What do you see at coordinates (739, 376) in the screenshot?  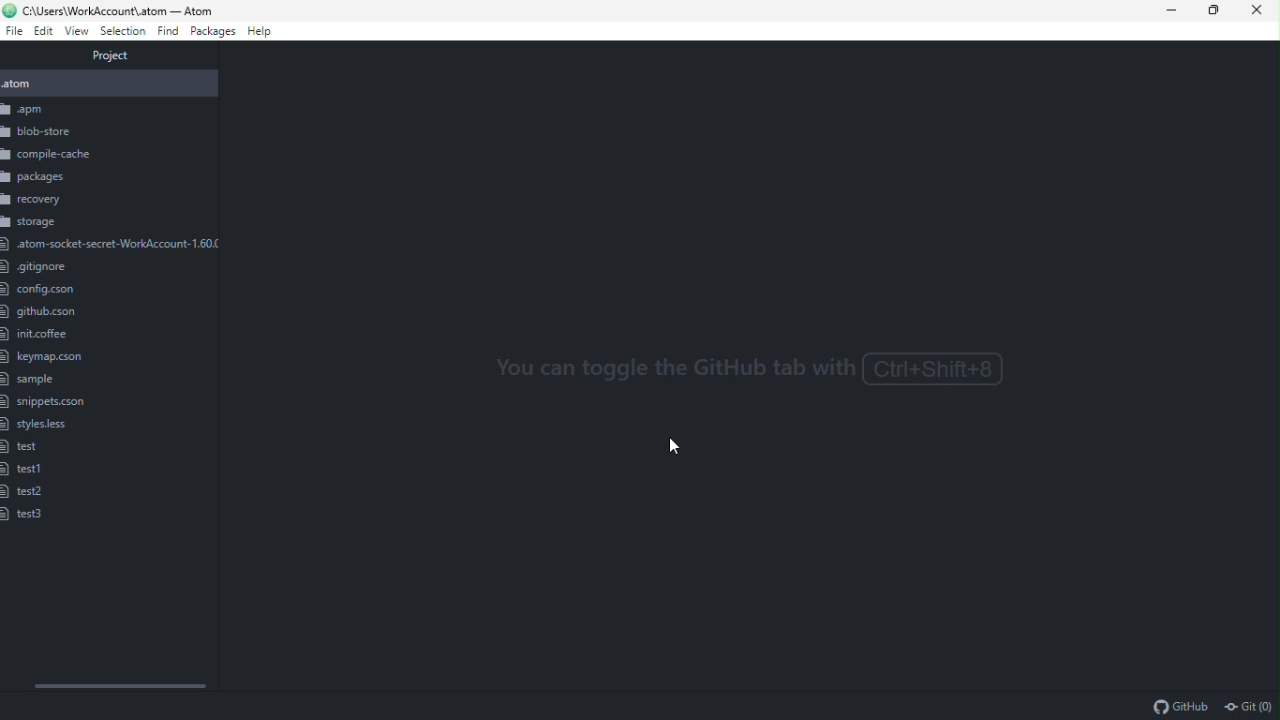 I see `You can focus the Git tab with Ctrl + 9` at bounding box center [739, 376].